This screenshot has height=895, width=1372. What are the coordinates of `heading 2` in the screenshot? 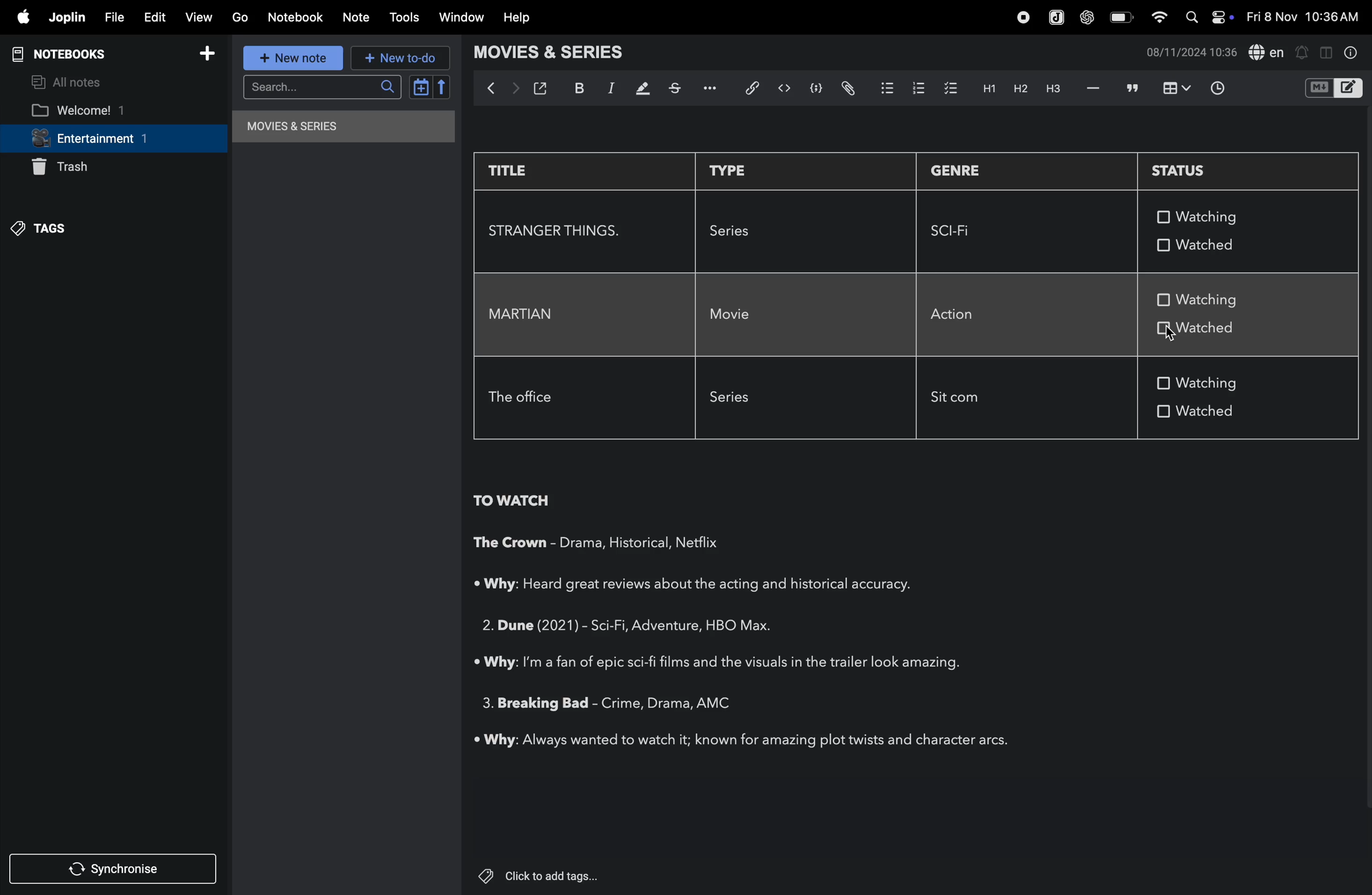 It's located at (1016, 89).